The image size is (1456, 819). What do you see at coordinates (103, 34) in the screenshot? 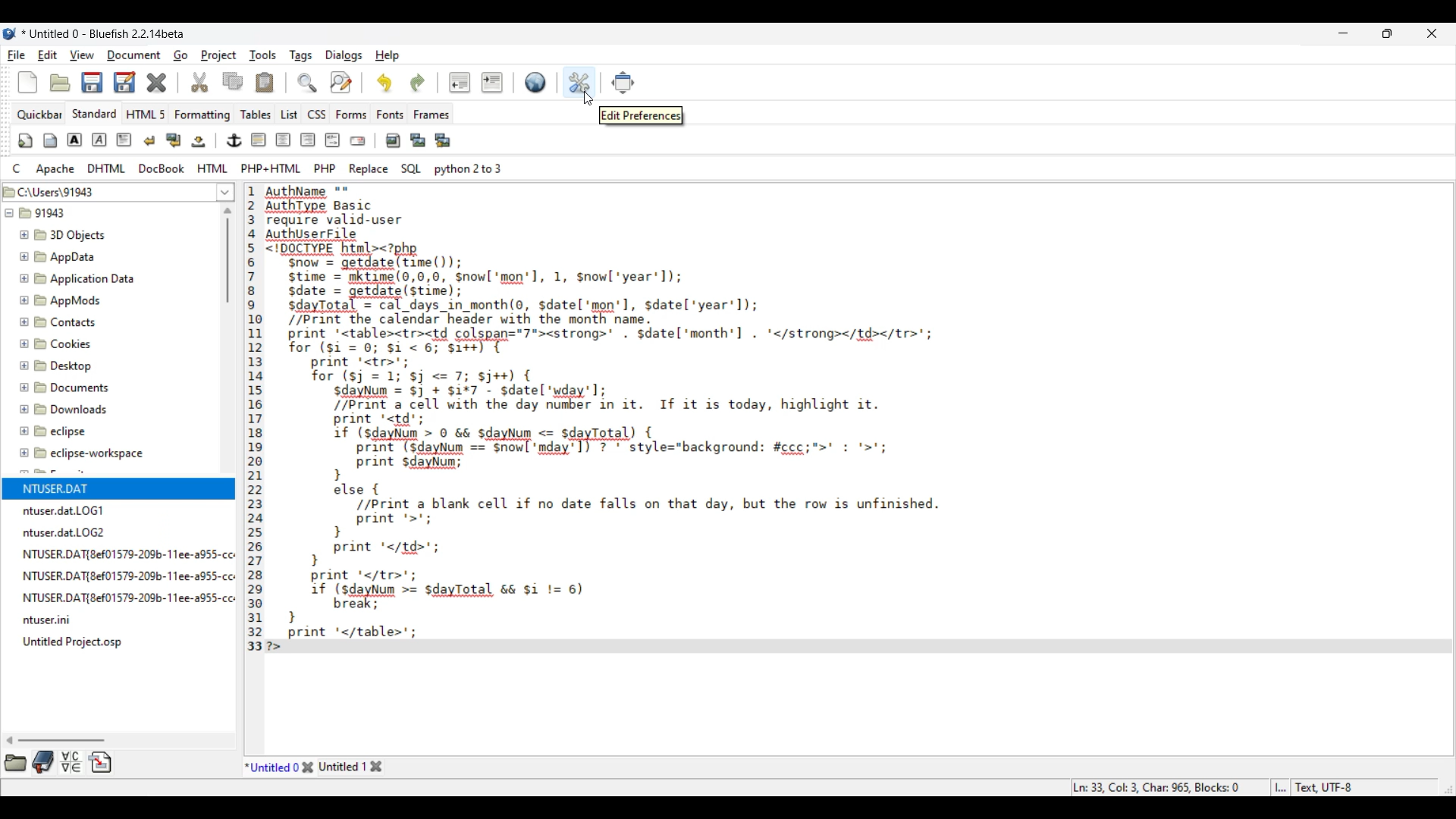
I see `Project name, software name and version ` at bounding box center [103, 34].